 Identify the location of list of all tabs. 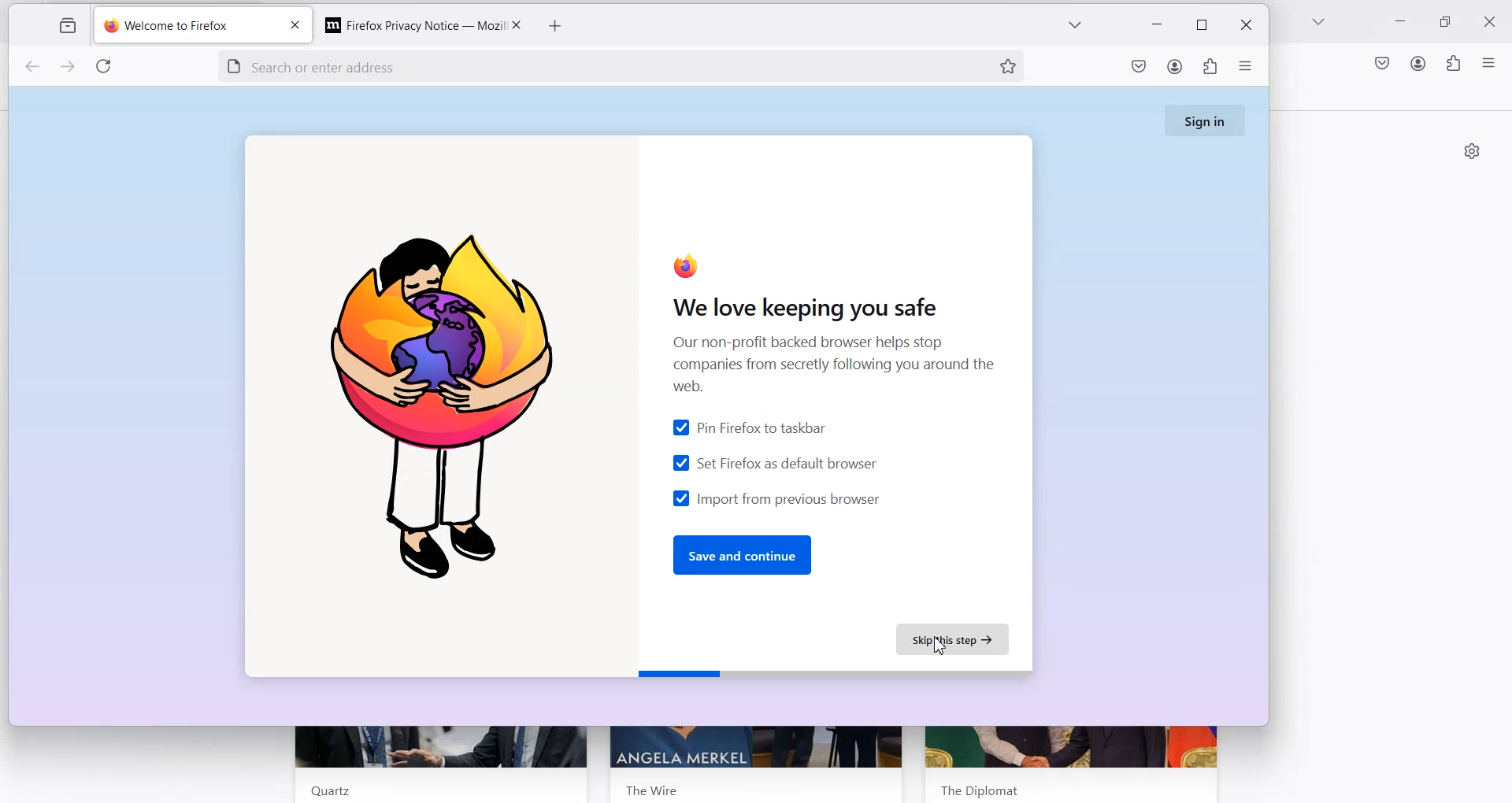
(1073, 28).